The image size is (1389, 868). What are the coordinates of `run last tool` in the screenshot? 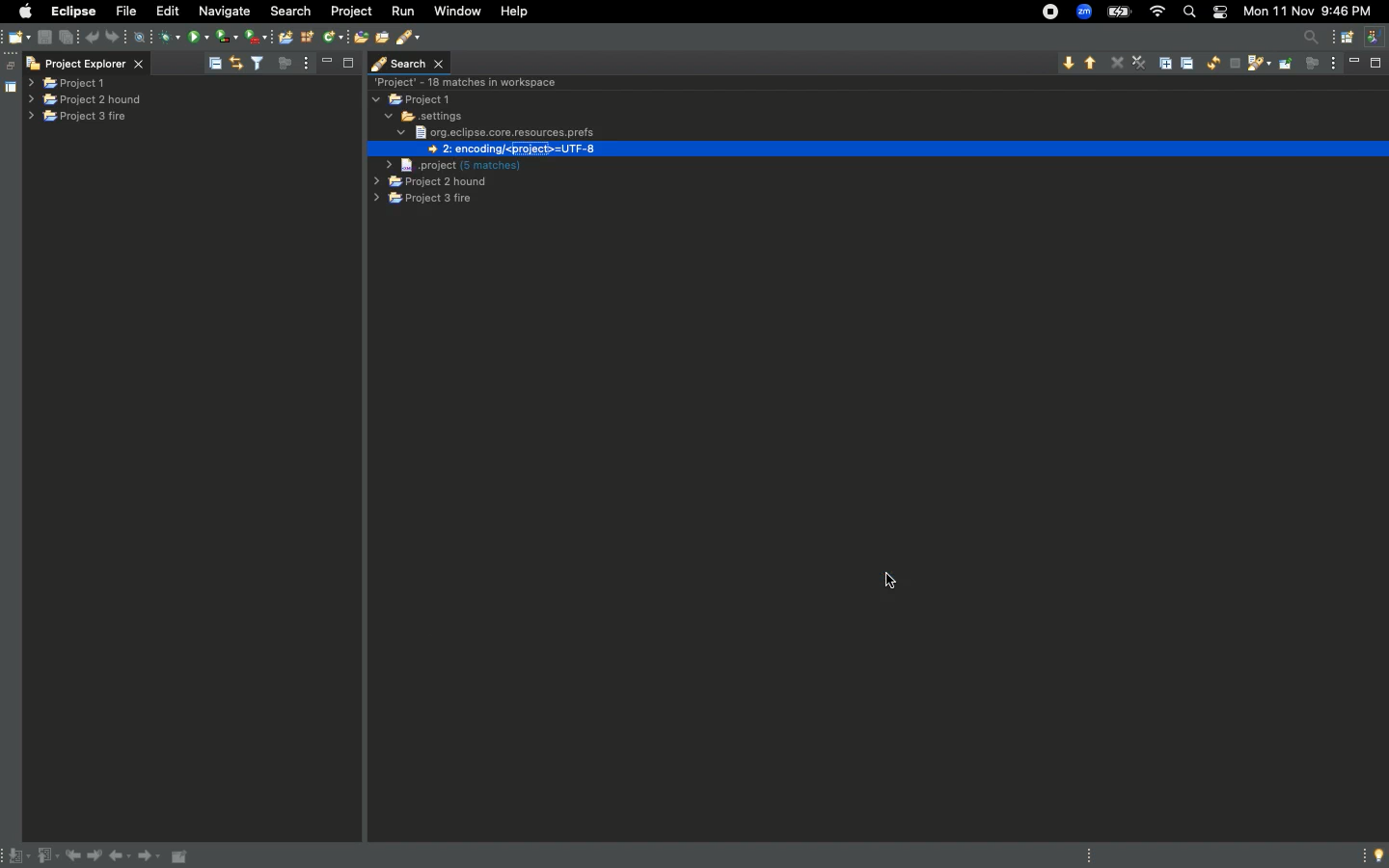 It's located at (258, 36).